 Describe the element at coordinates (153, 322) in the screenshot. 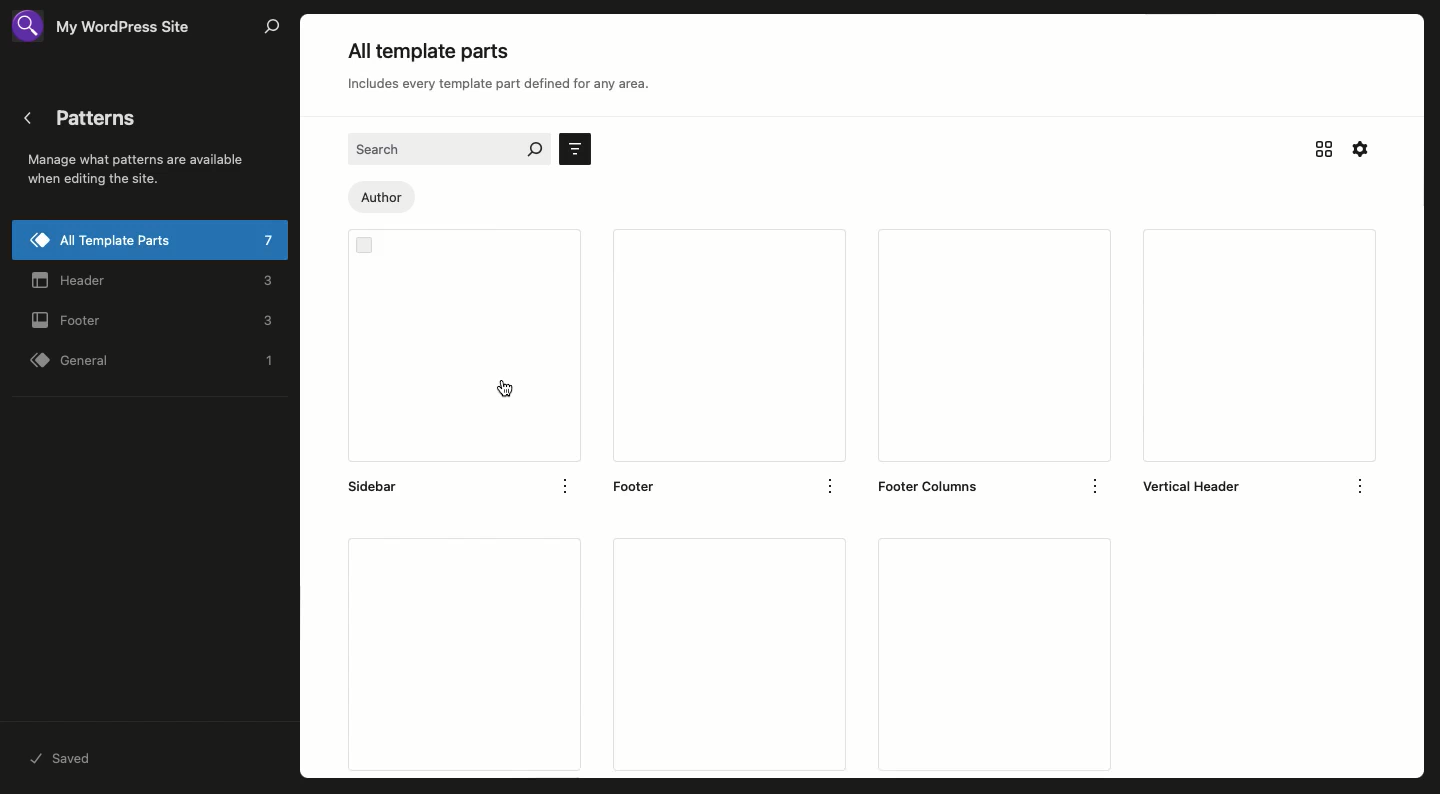

I see `Footer` at that location.